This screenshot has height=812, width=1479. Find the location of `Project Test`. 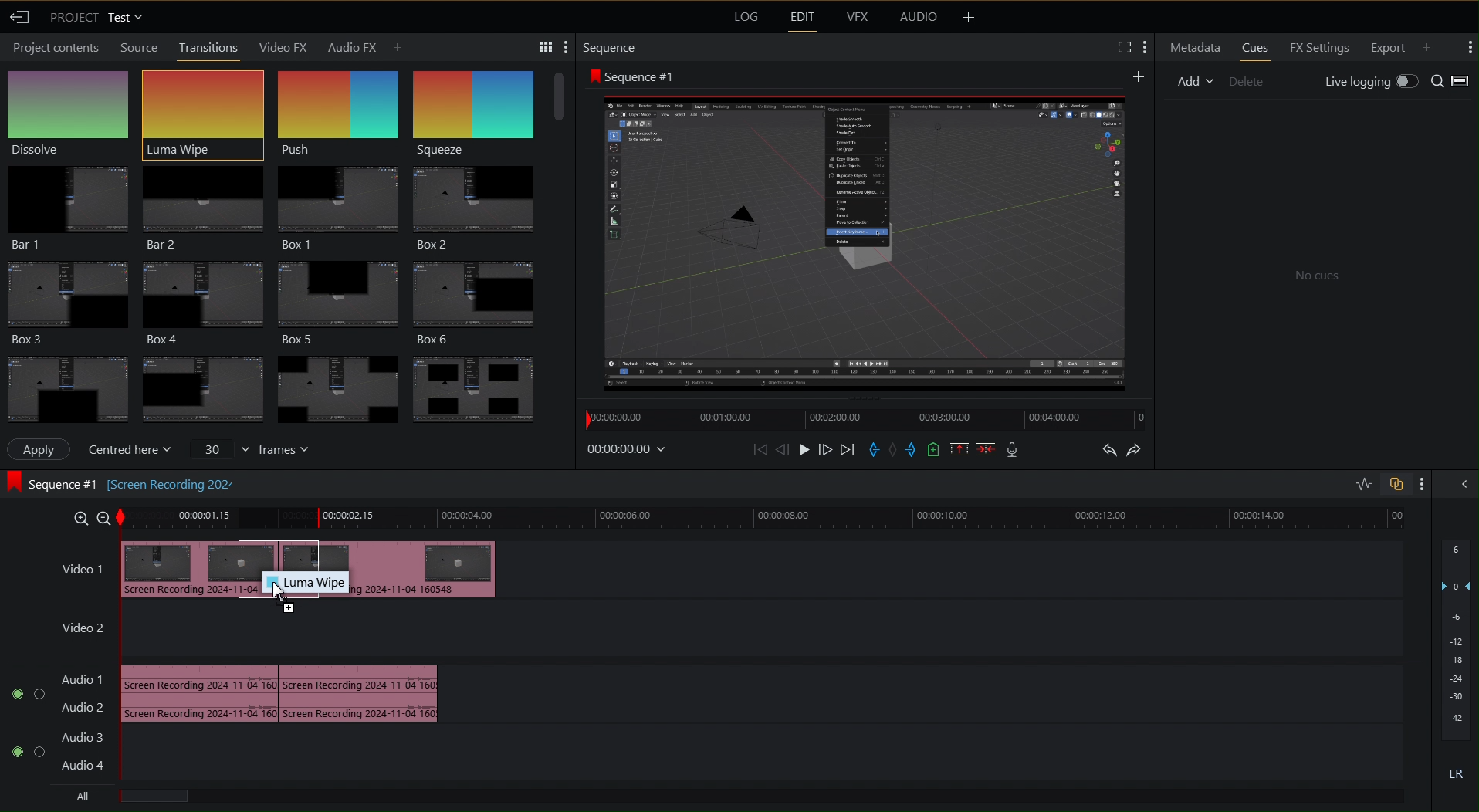

Project Test is located at coordinates (98, 19).